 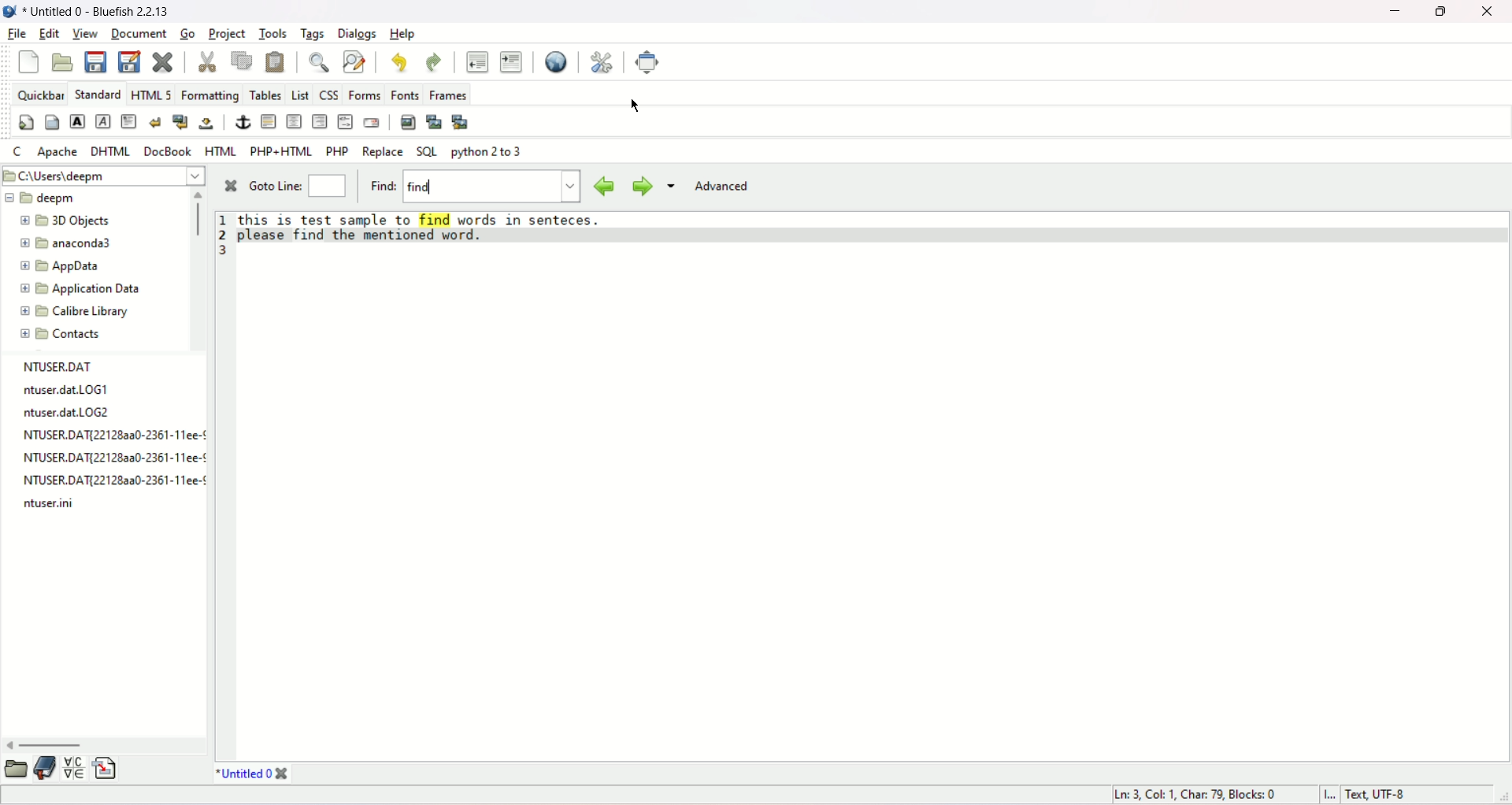 I want to click on goto line:, so click(x=300, y=188).